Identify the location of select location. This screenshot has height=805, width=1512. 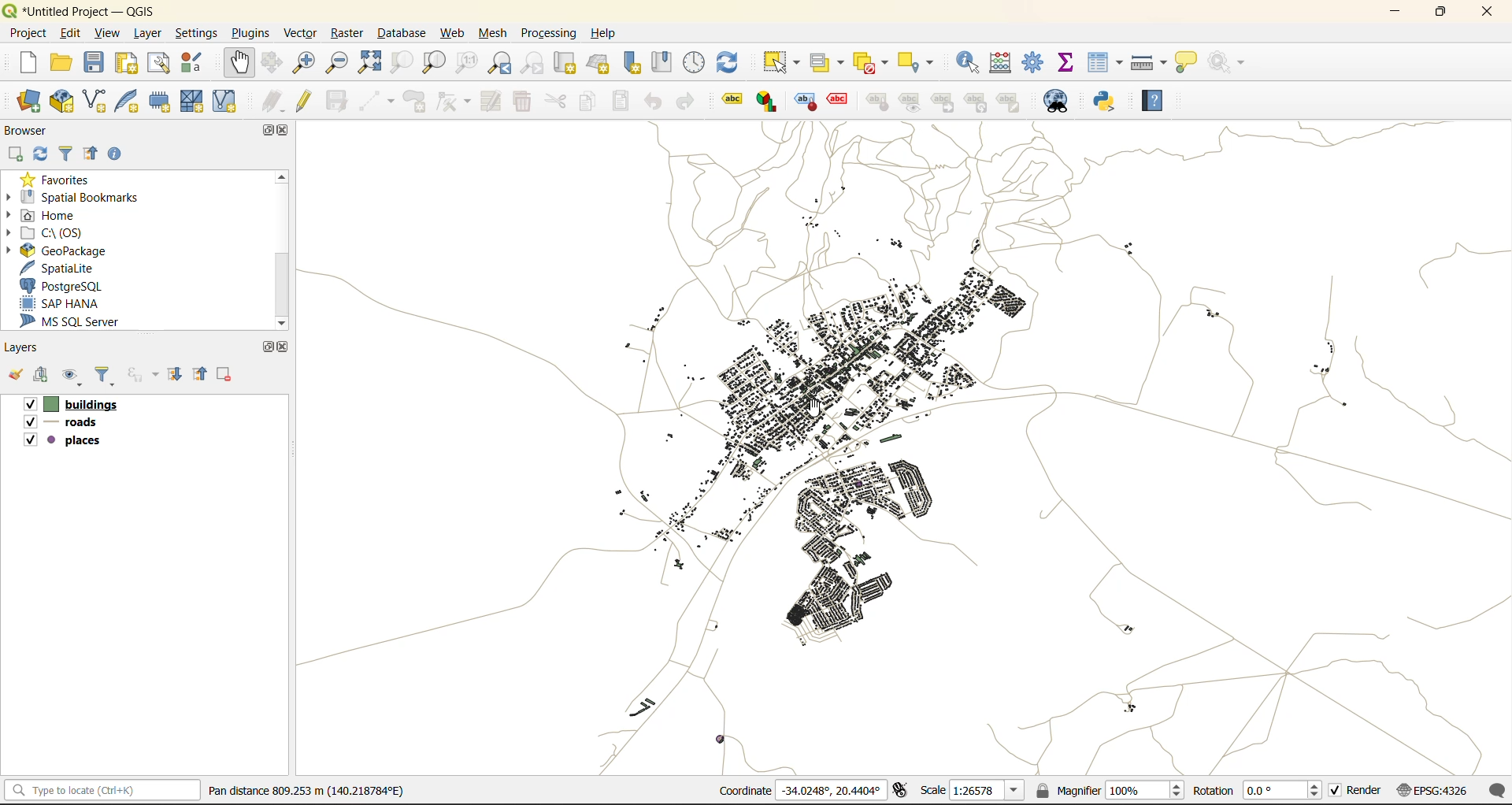
(925, 63).